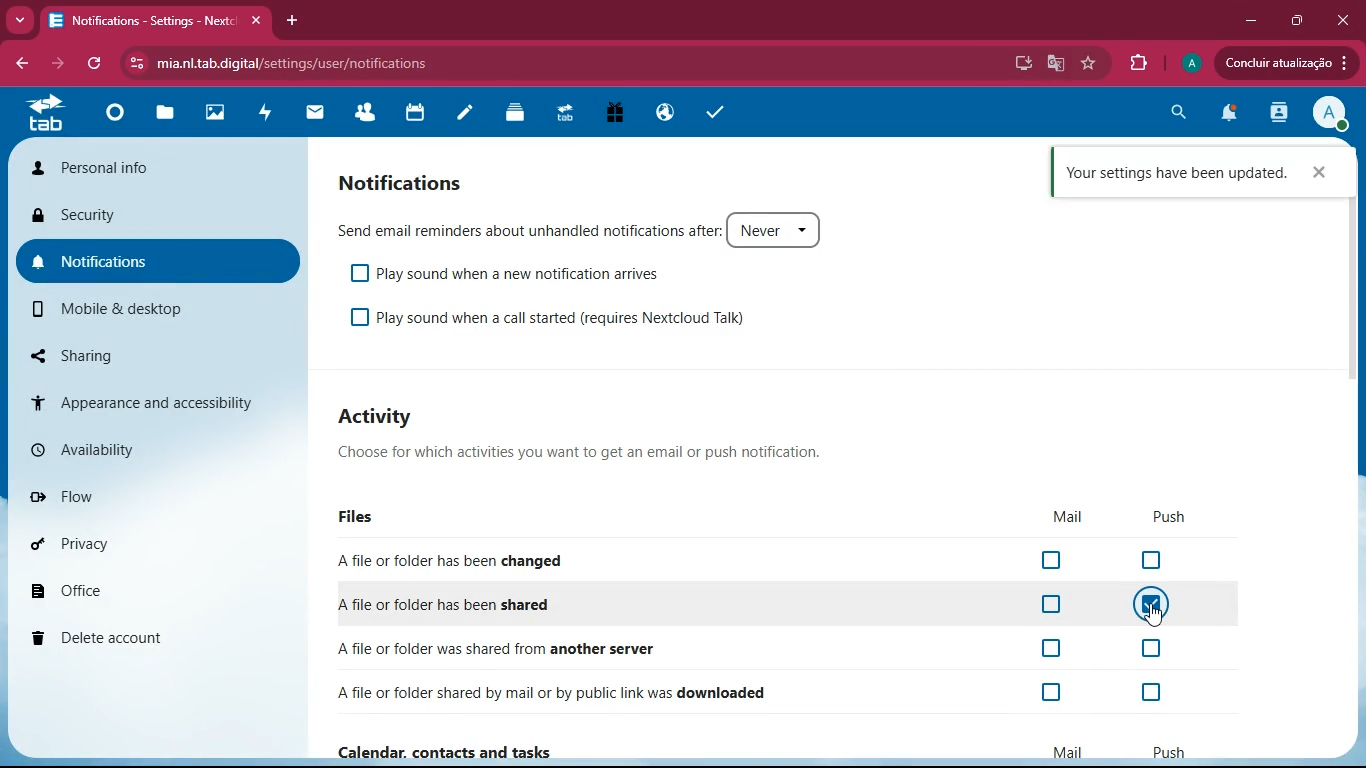 Image resolution: width=1366 pixels, height=768 pixels. I want to click on profile, so click(1329, 116).